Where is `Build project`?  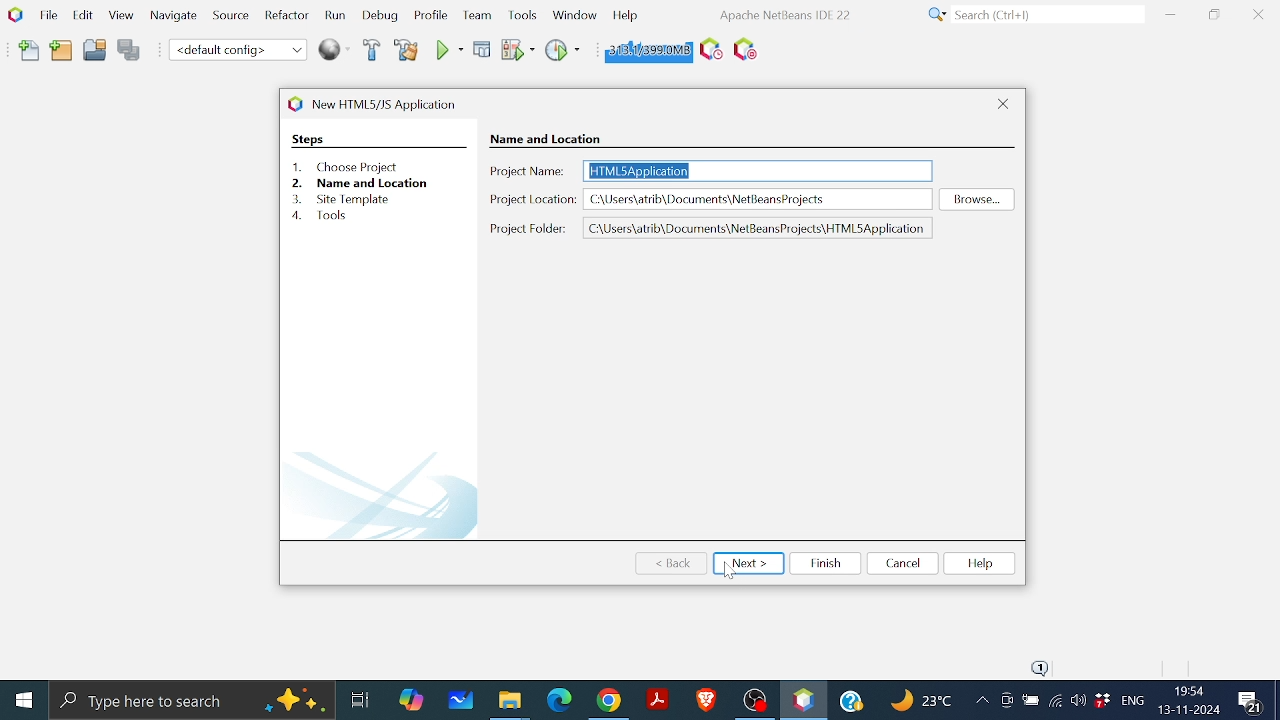
Build project is located at coordinates (374, 51).